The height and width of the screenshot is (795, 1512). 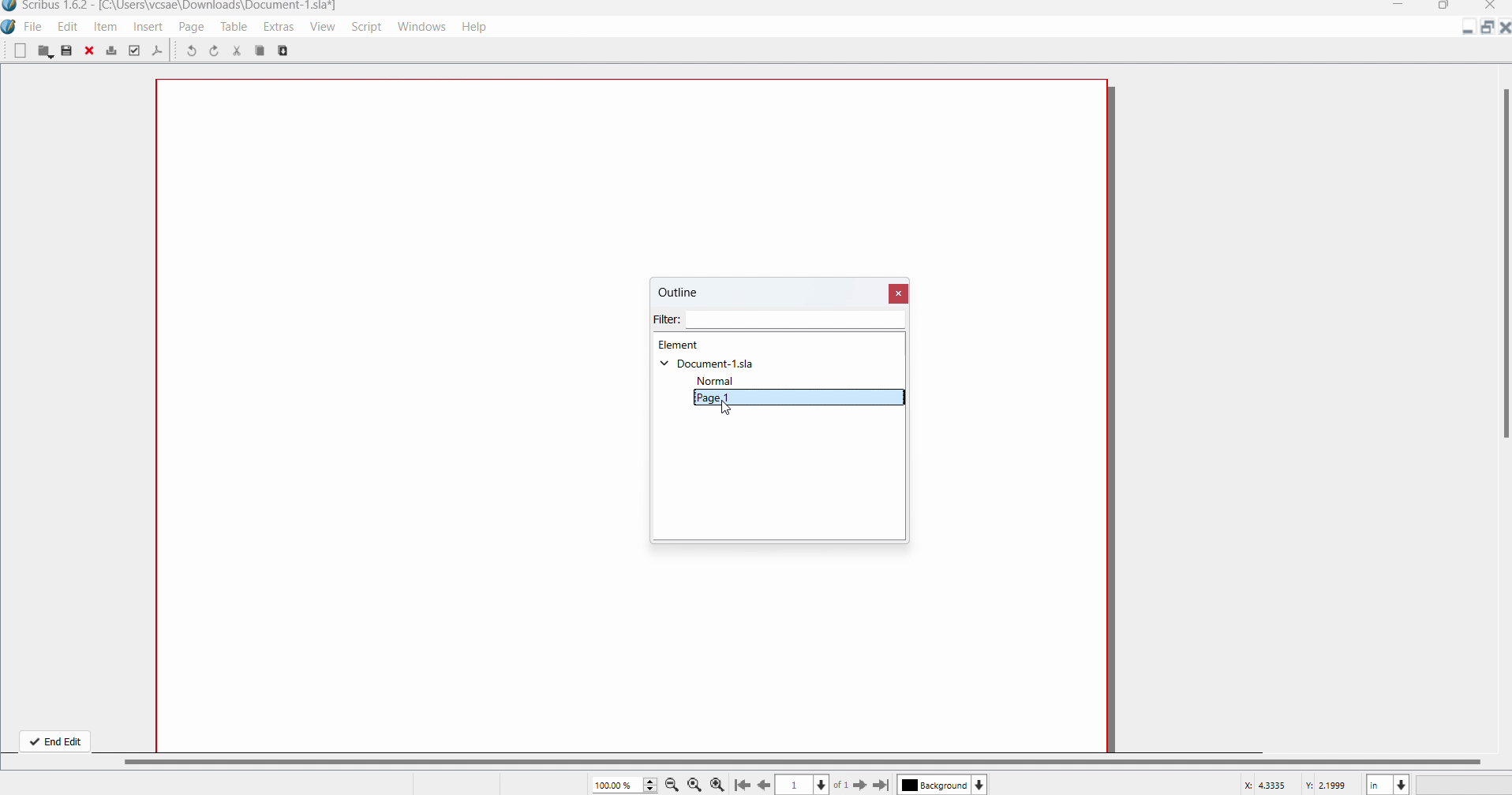 What do you see at coordinates (882, 786) in the screenshot?
I see `go to end` at bounding box center [882, 786].